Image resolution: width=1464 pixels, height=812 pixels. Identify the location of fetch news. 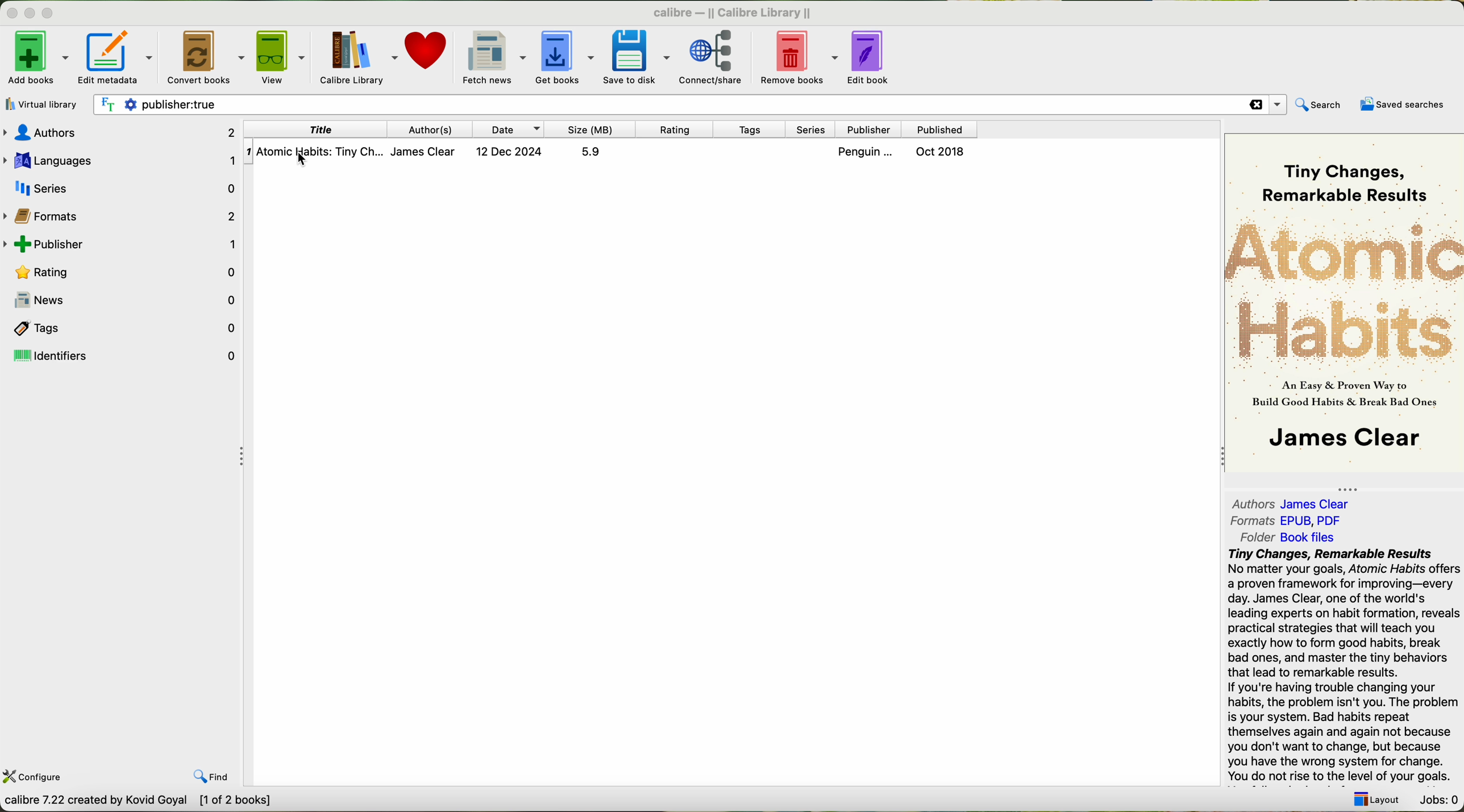
(492, 57).